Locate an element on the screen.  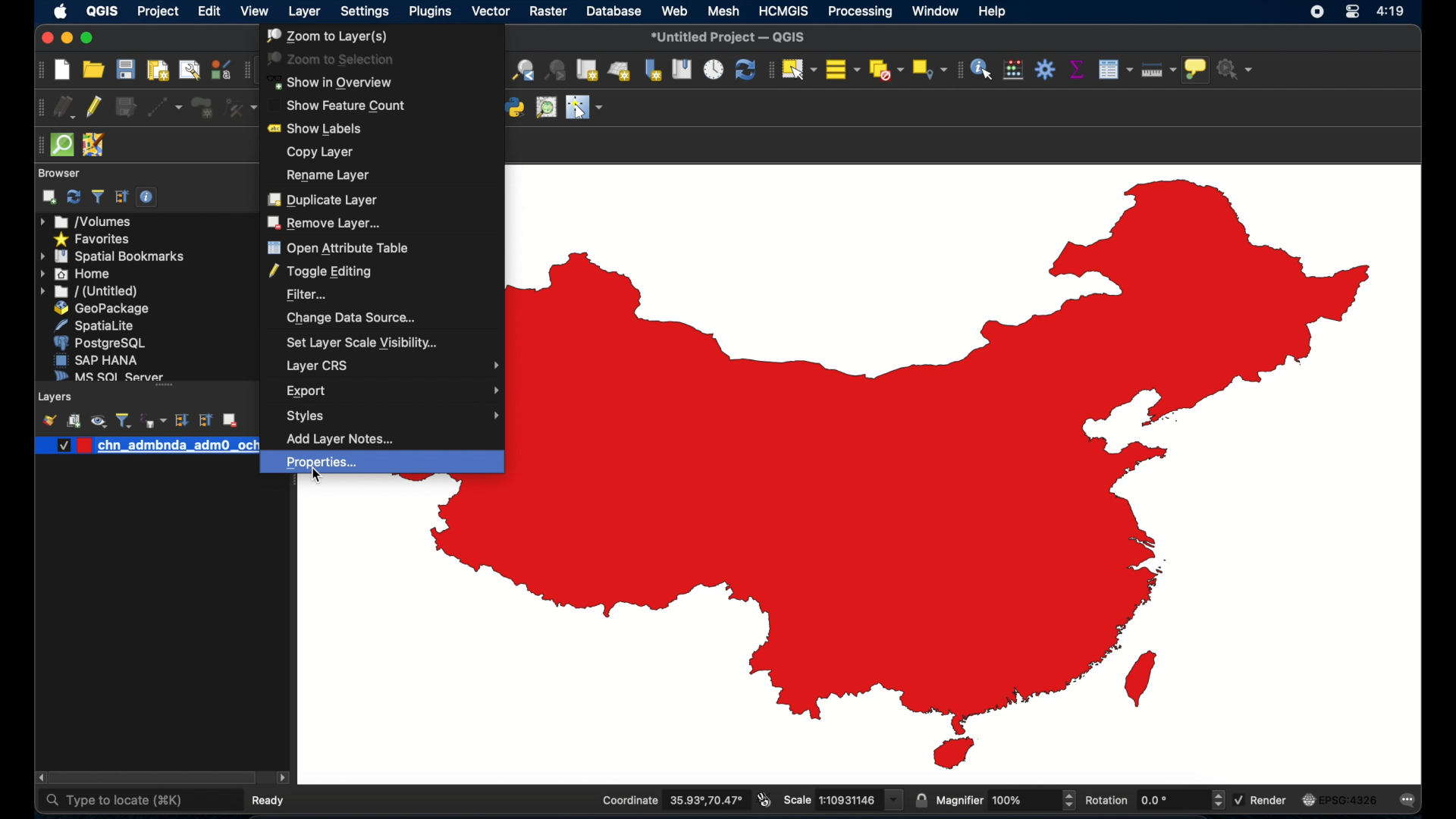
new project is located at coordinates (63, 70).